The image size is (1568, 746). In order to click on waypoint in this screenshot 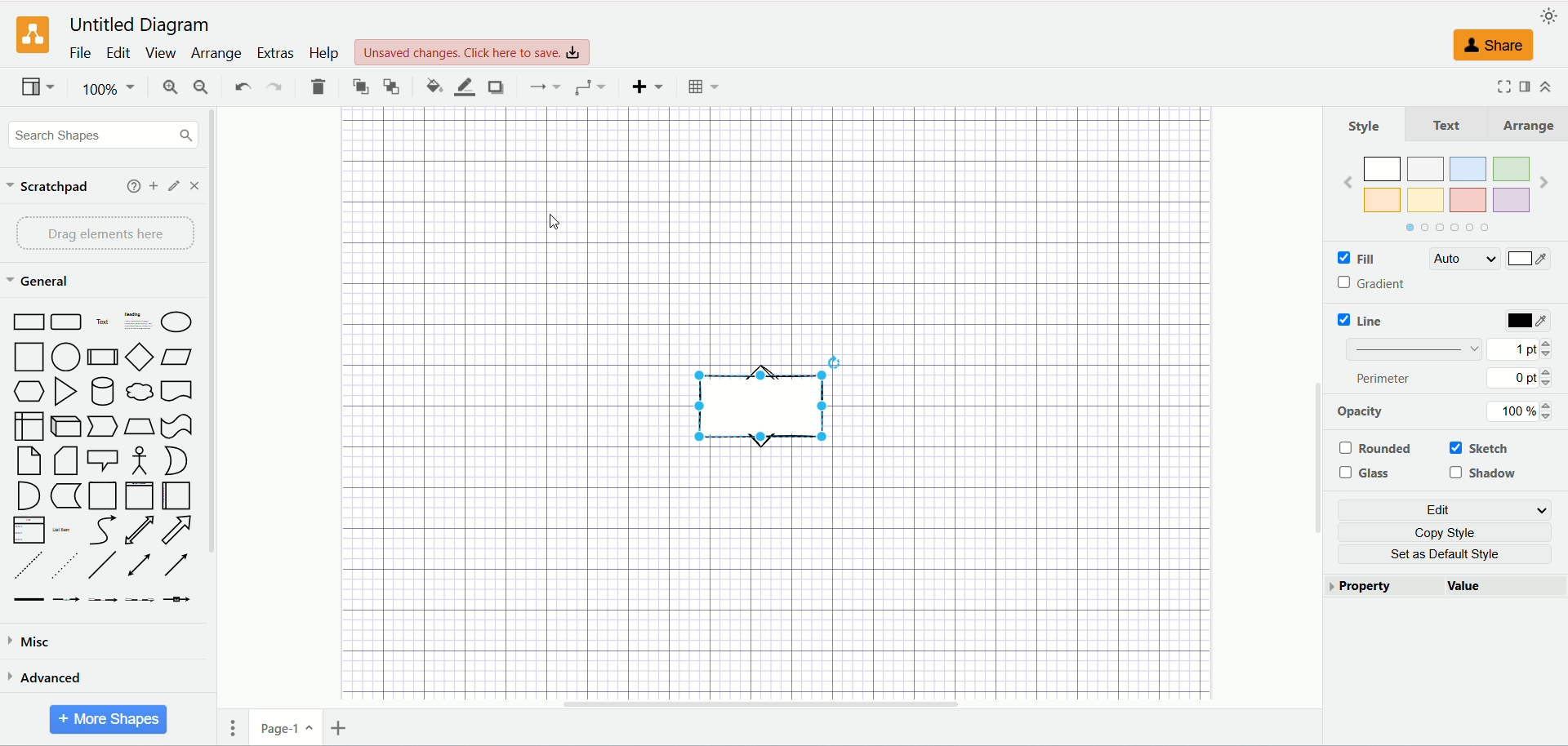, I will do `click(546, 86)`.